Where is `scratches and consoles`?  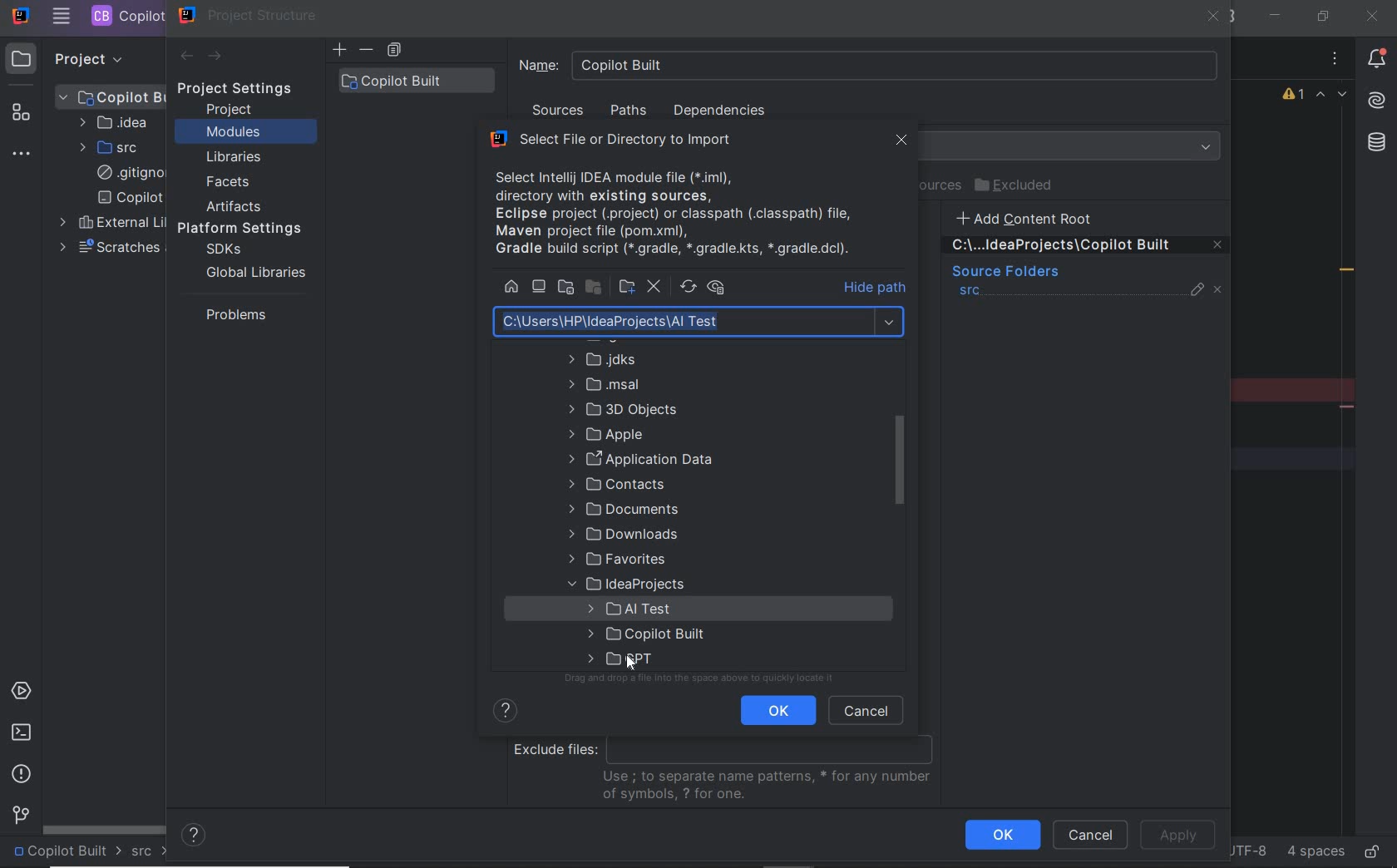 scratches and consoles is located at coordinates (109, 248).